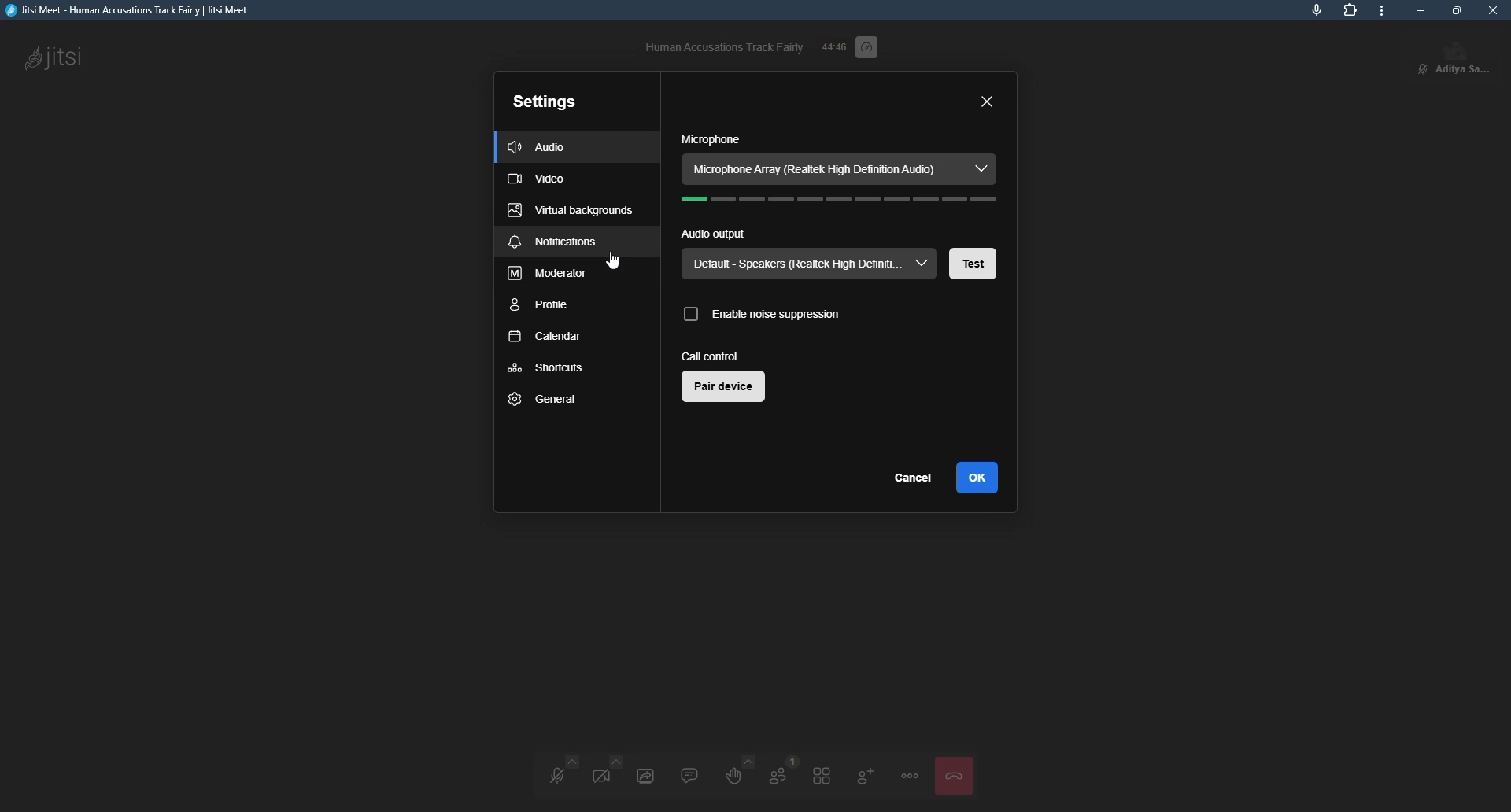 Image resolution: width=1511 pixels, height=812 pixels. What do you see at coordinates (761, 312) in the screenshot?
I see `enable noise suppression` at bounding box center [761, 312].